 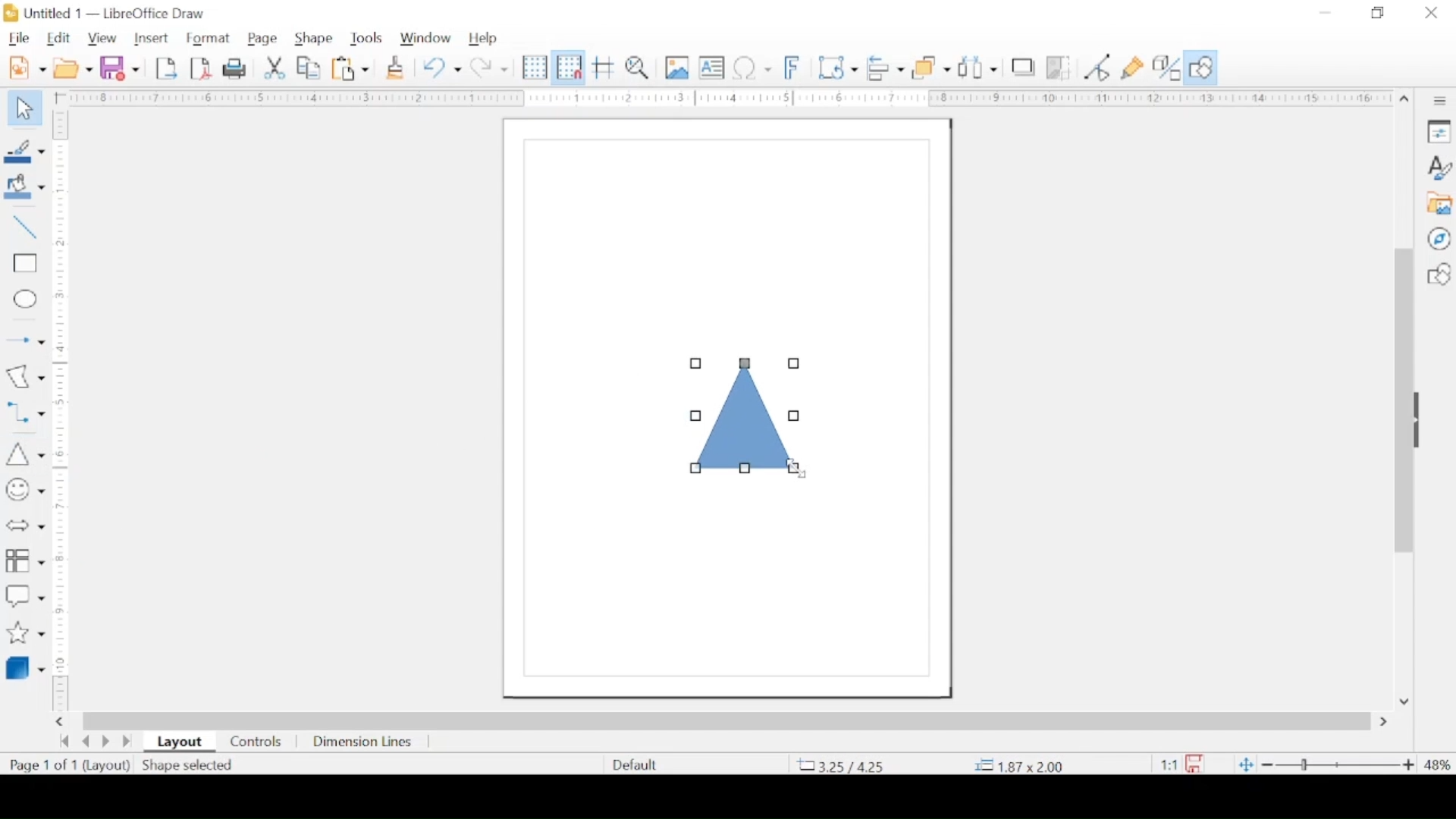 I want to click on last page, so click(x=127, y=742).